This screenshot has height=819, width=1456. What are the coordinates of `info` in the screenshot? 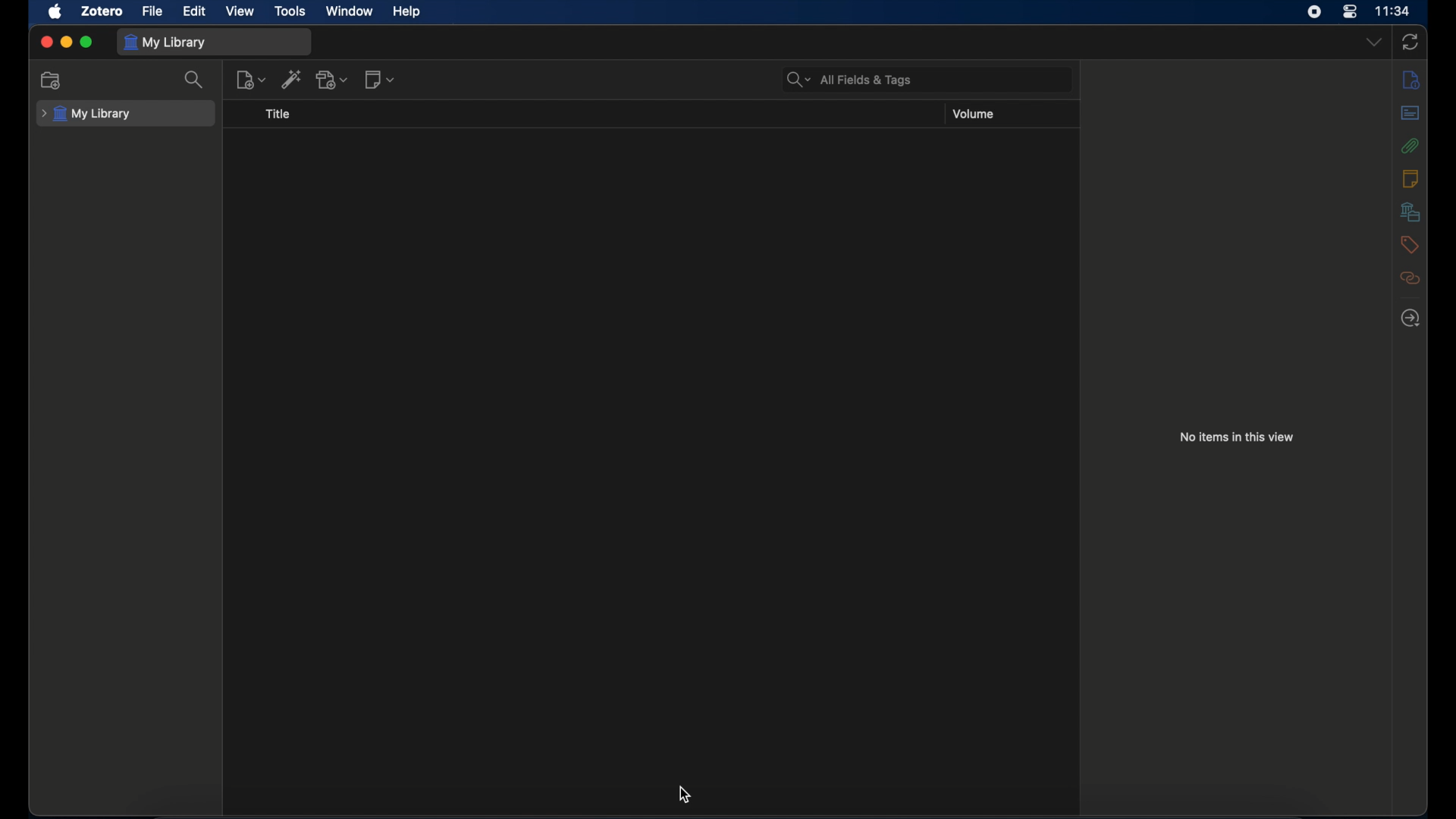 It's located at (1411, 80).